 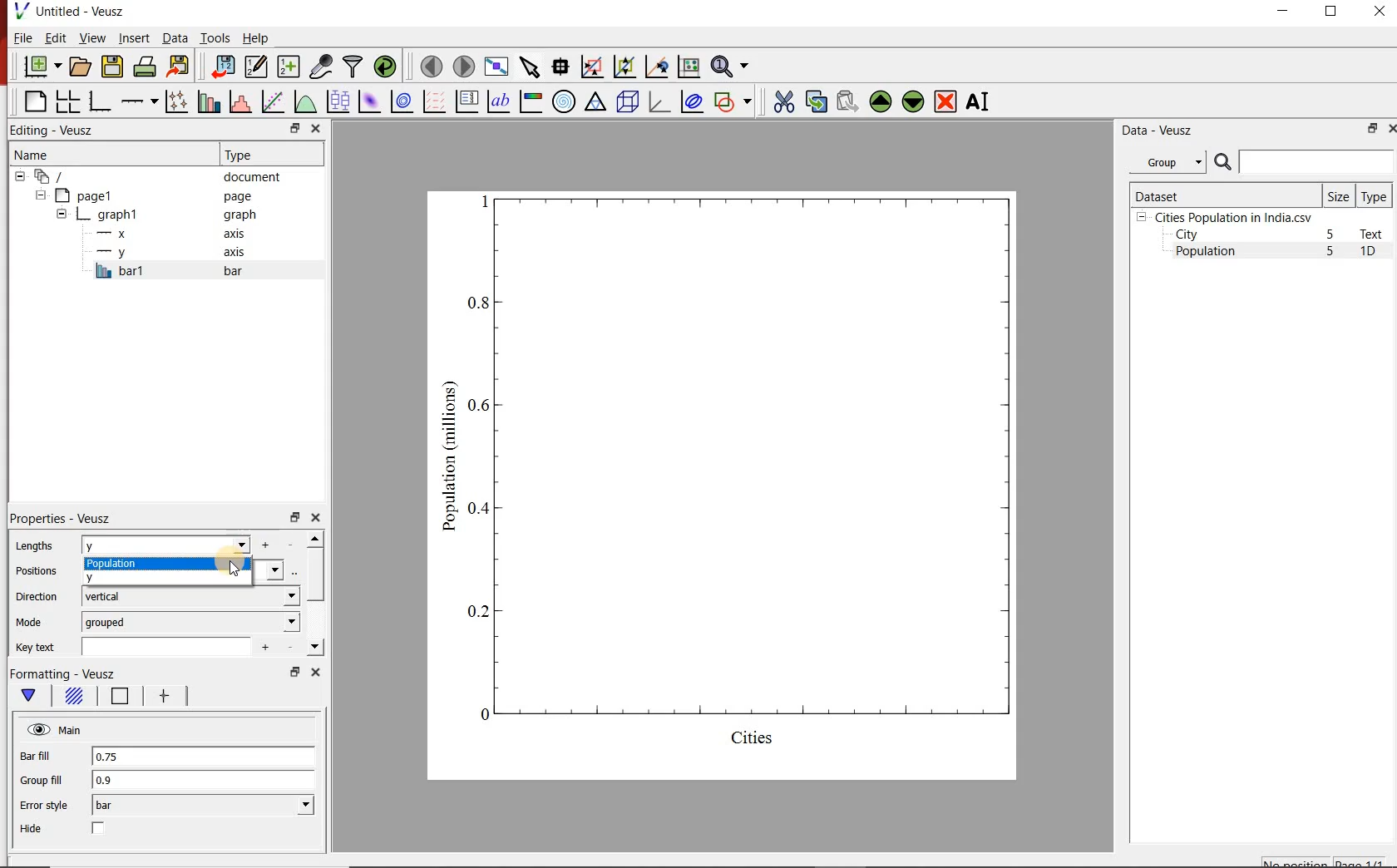 I want to click on 3d graph, so click(x=658, y=101).